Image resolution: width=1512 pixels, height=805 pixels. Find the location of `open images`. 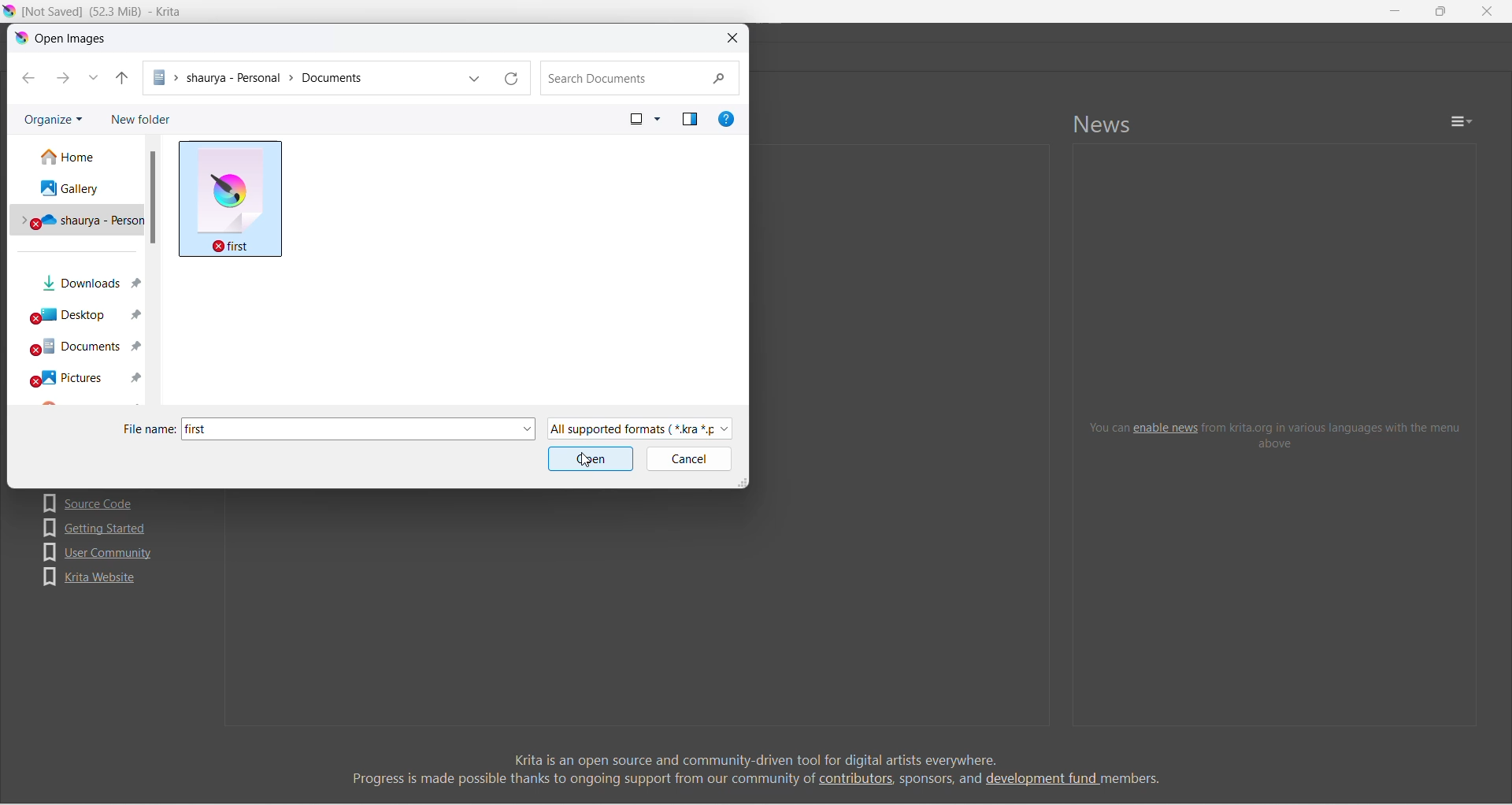

open images is located at coordinates (63, 39).